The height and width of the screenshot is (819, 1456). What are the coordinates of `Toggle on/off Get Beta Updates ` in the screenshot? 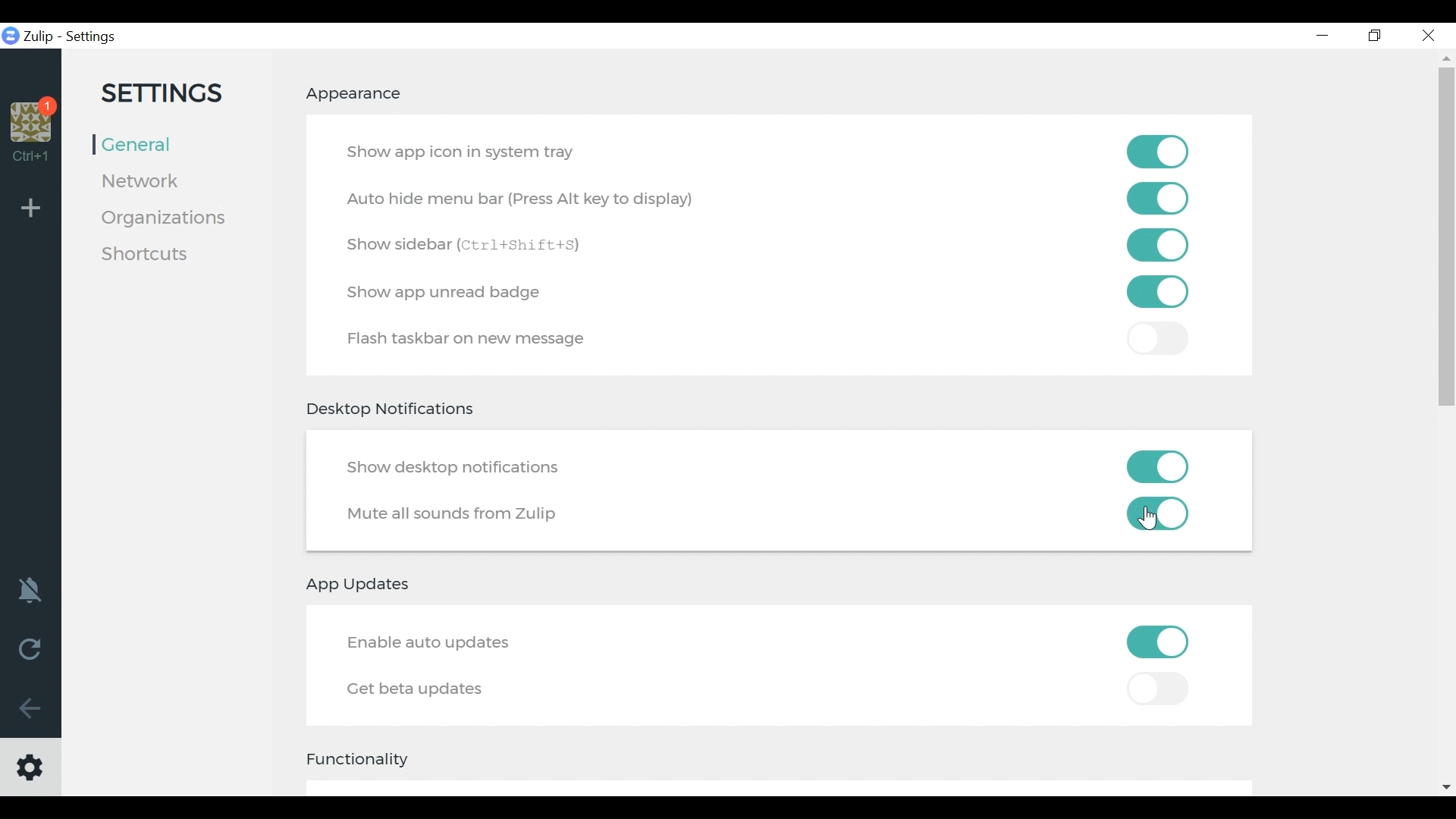 It's located at (1156, 691).